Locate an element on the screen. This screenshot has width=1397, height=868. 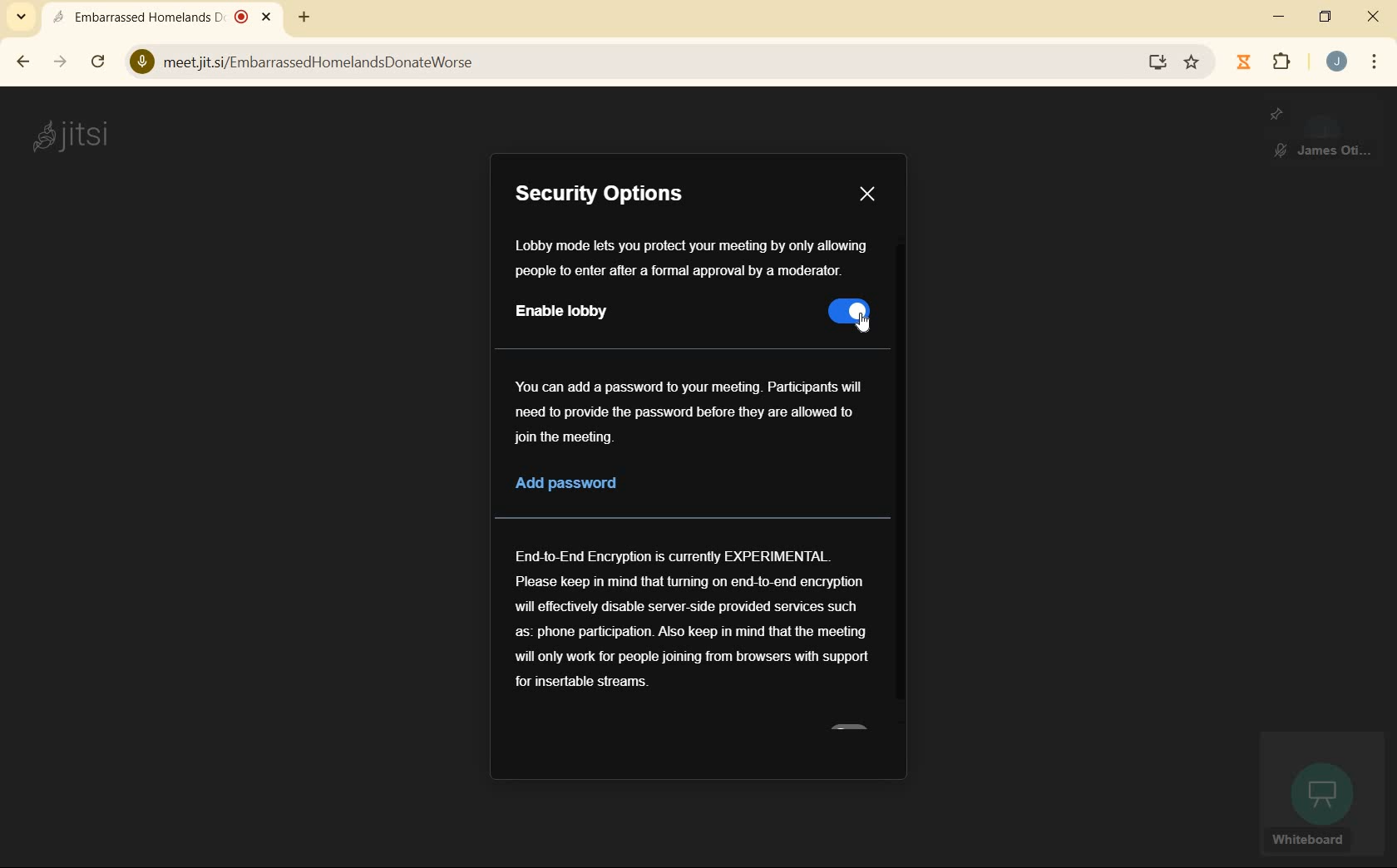
current open tab is located at coordinates (166, 19).